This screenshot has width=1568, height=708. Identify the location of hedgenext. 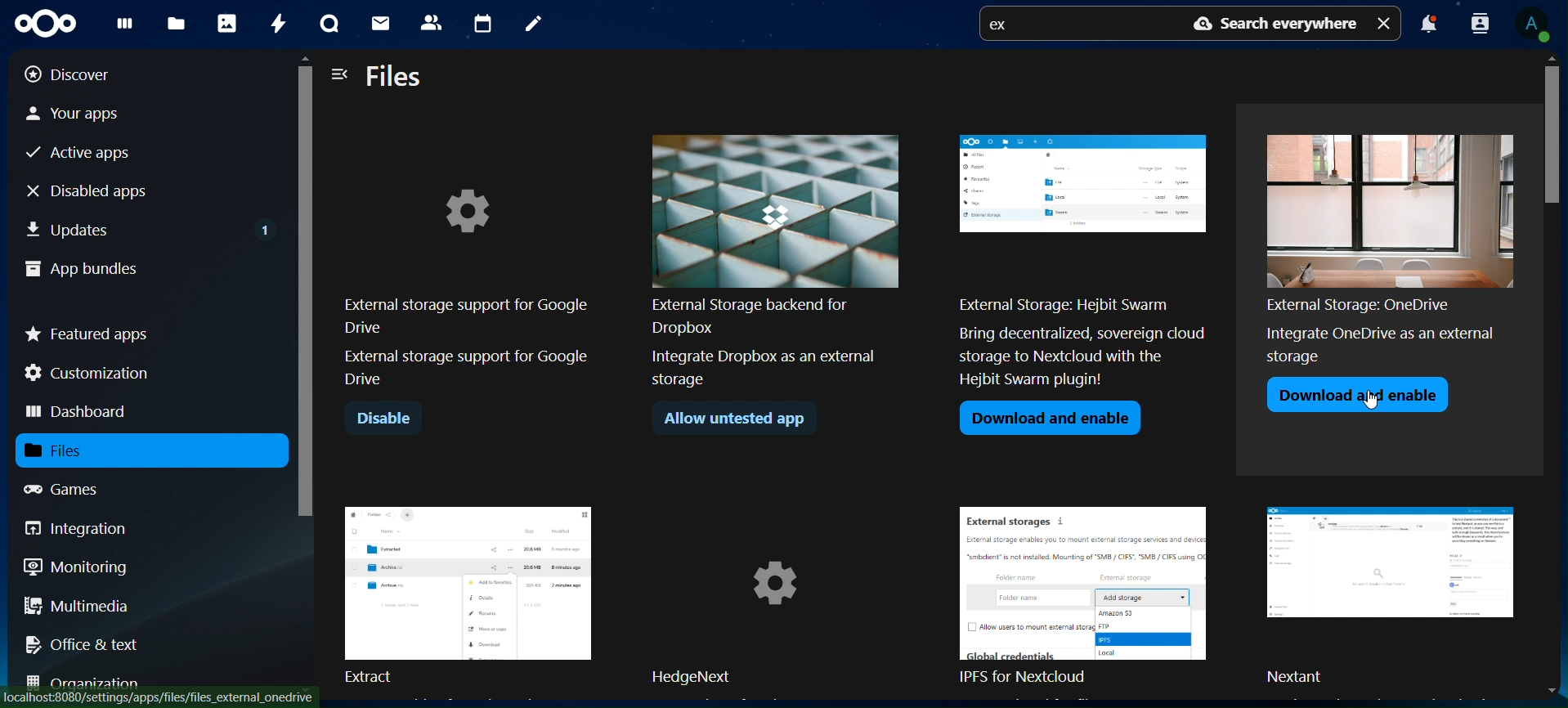
(778, 598).